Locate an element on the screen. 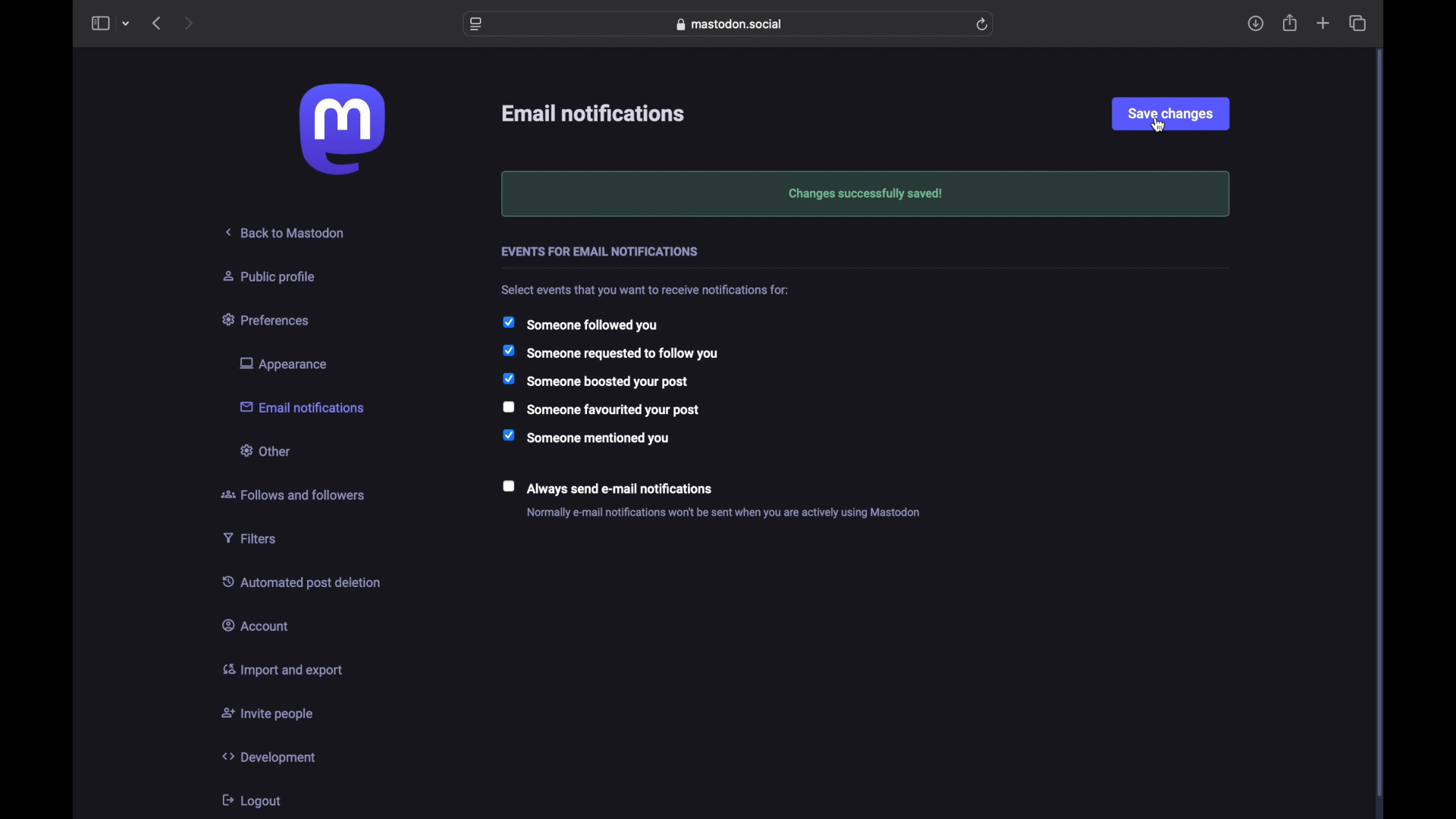  save changes is located at coordinates (1170, 113).